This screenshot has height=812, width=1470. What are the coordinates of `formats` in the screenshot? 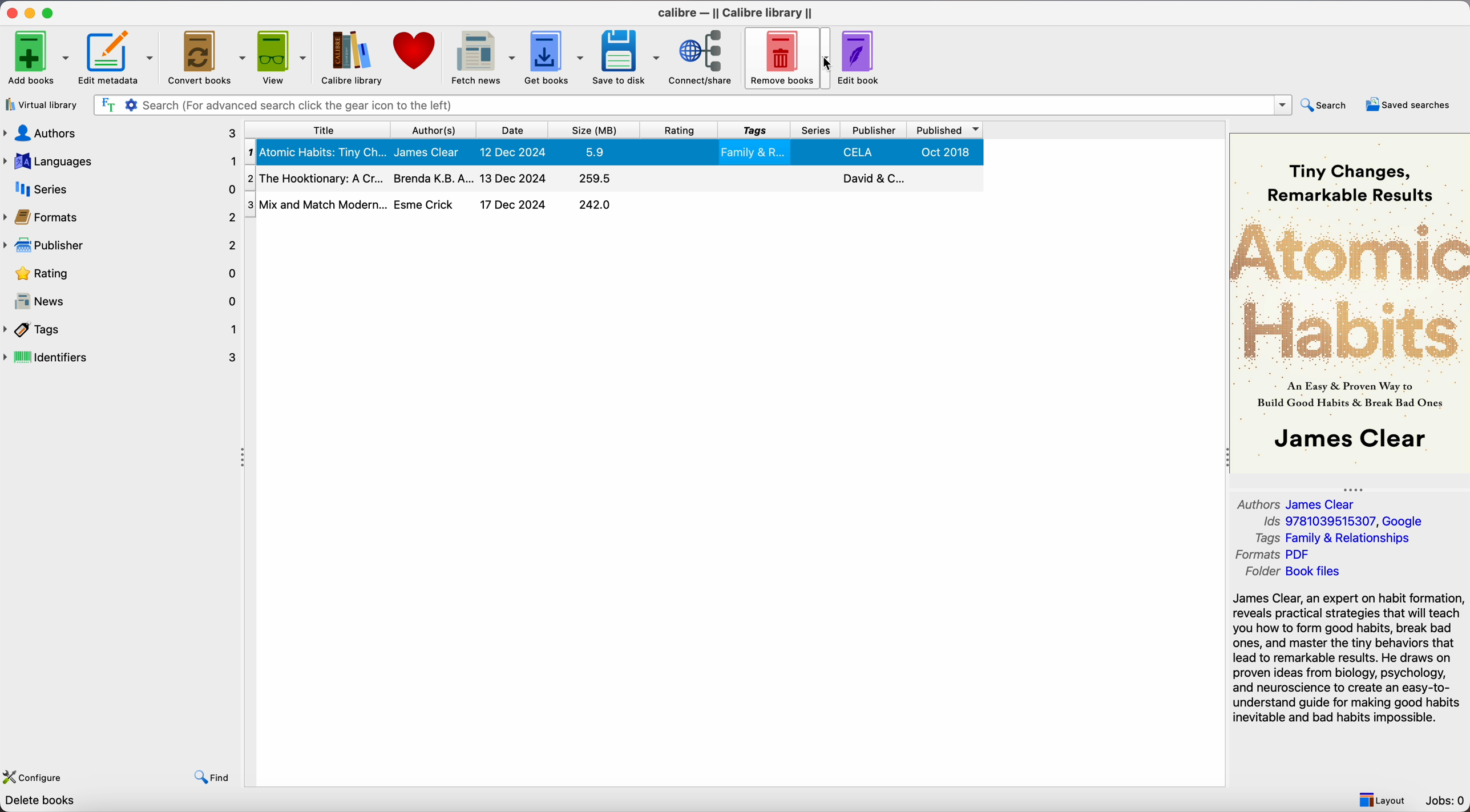 It's located at (120, 216).